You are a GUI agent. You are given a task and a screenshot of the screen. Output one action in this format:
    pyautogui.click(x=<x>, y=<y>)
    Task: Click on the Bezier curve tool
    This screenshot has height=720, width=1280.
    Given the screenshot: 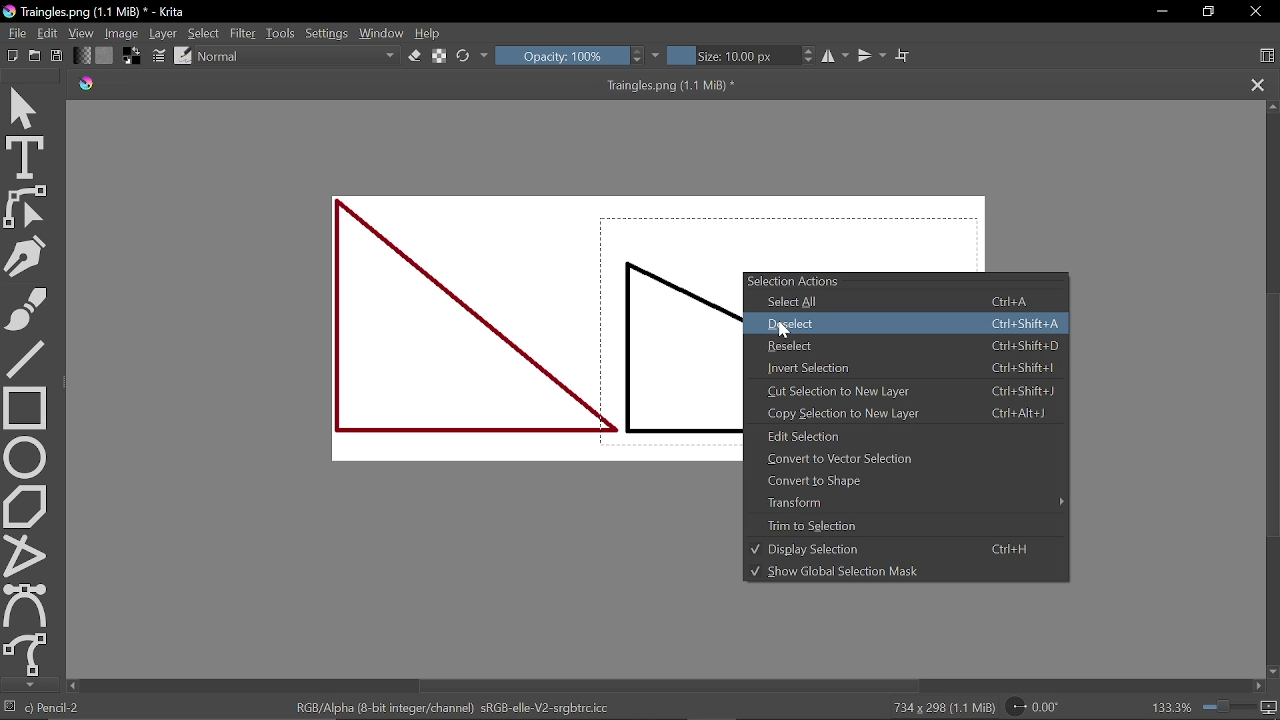 What is the action you would take?
    pyautogui.click(x=26, y=604)
    